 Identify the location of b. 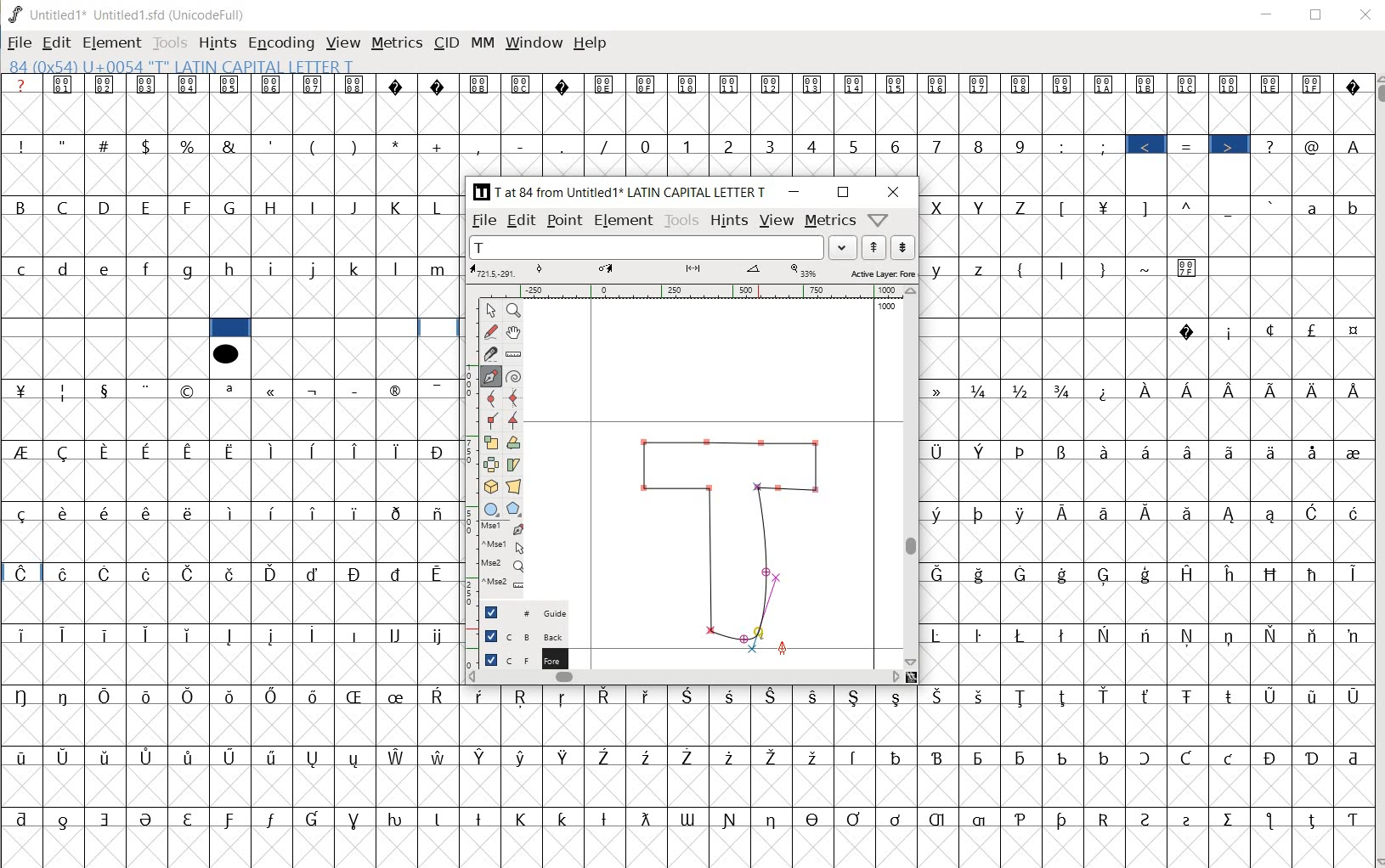
(1350, 206).